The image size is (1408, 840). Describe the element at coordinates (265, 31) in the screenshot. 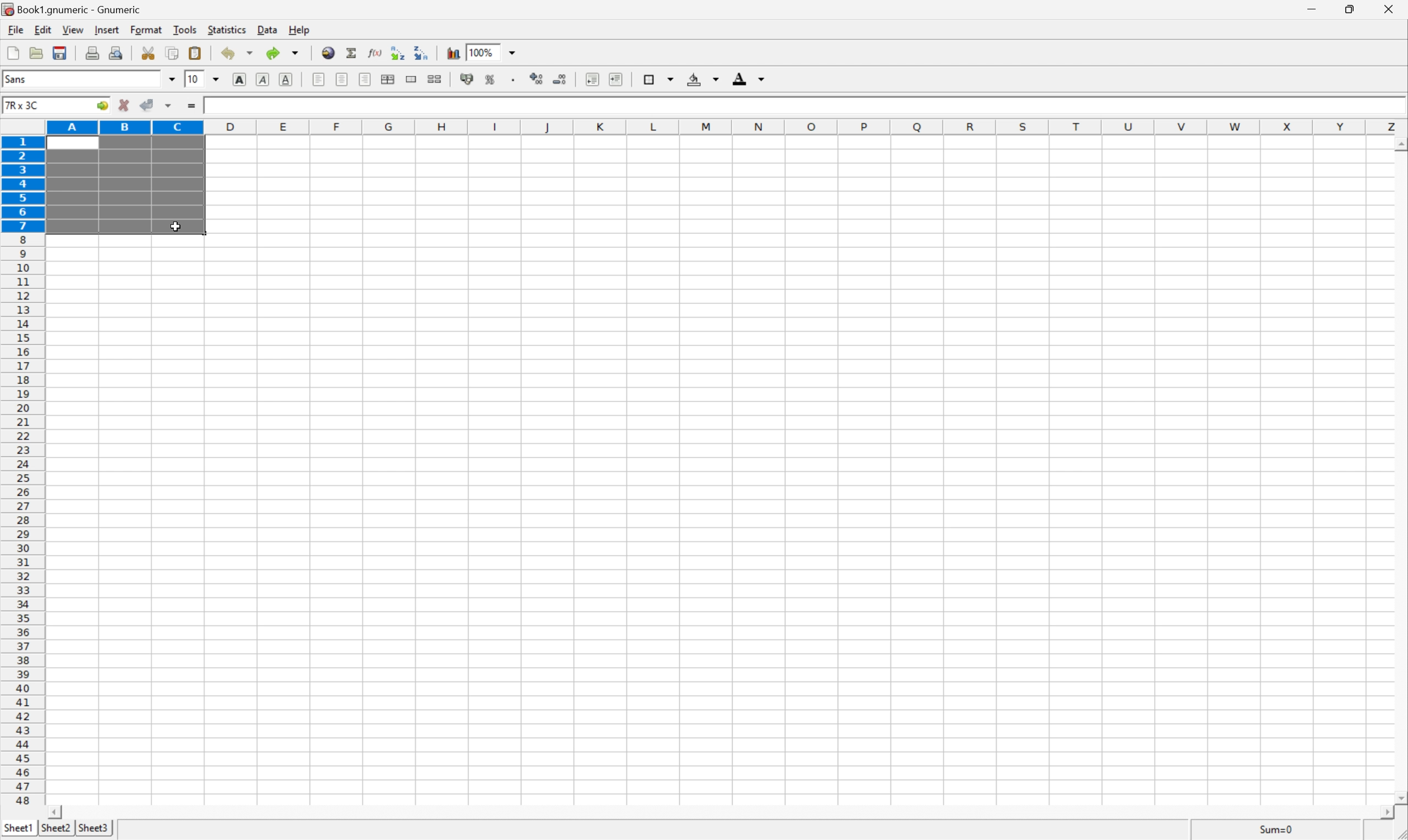

I see `data` at that location.